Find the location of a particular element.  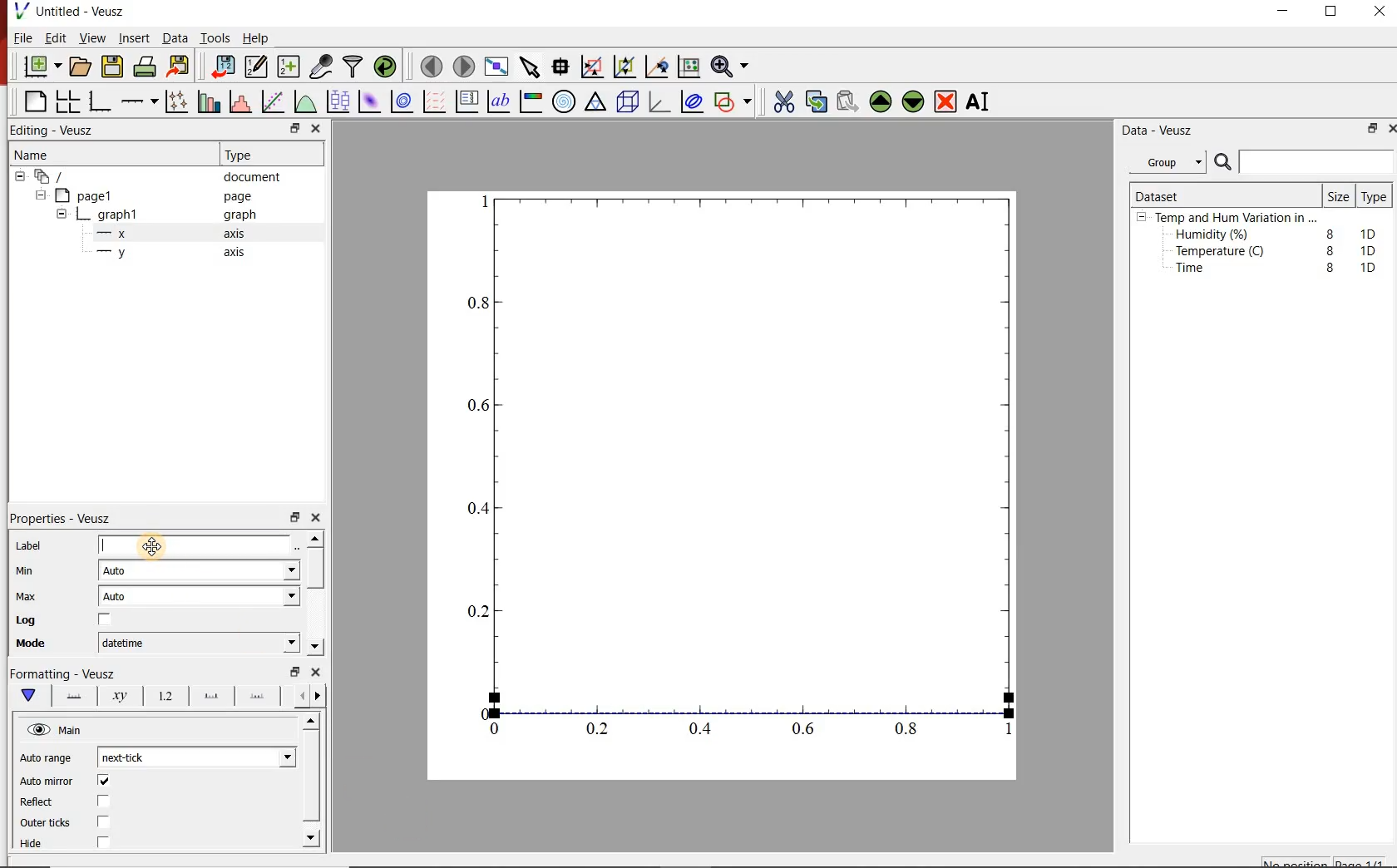

import data into Veusz is located at coordinates (222, 65).